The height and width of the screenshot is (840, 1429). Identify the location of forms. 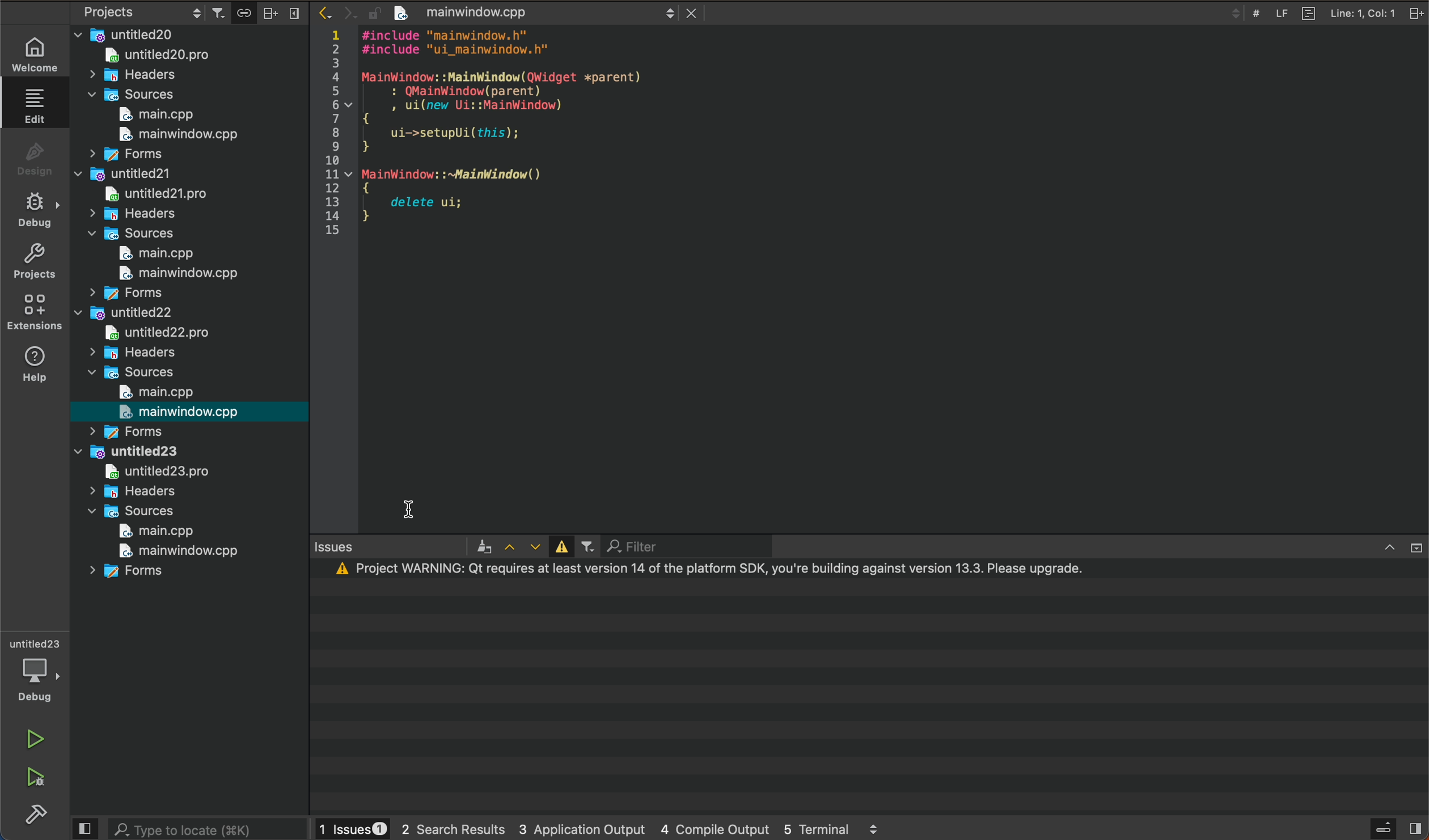
(129, 431).